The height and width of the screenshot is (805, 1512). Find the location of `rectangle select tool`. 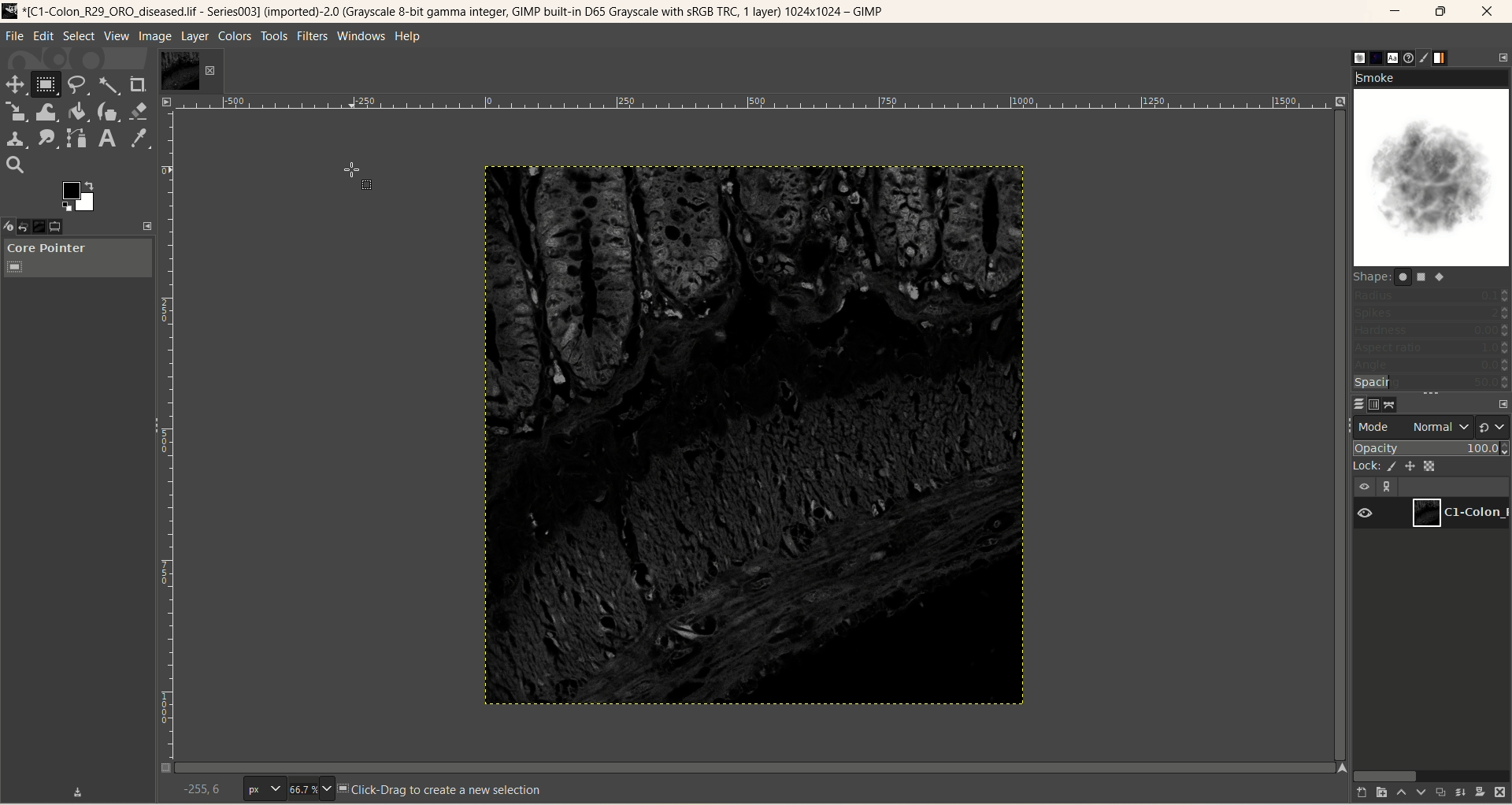

rectangle select tool is located at coordinates (50, 83).